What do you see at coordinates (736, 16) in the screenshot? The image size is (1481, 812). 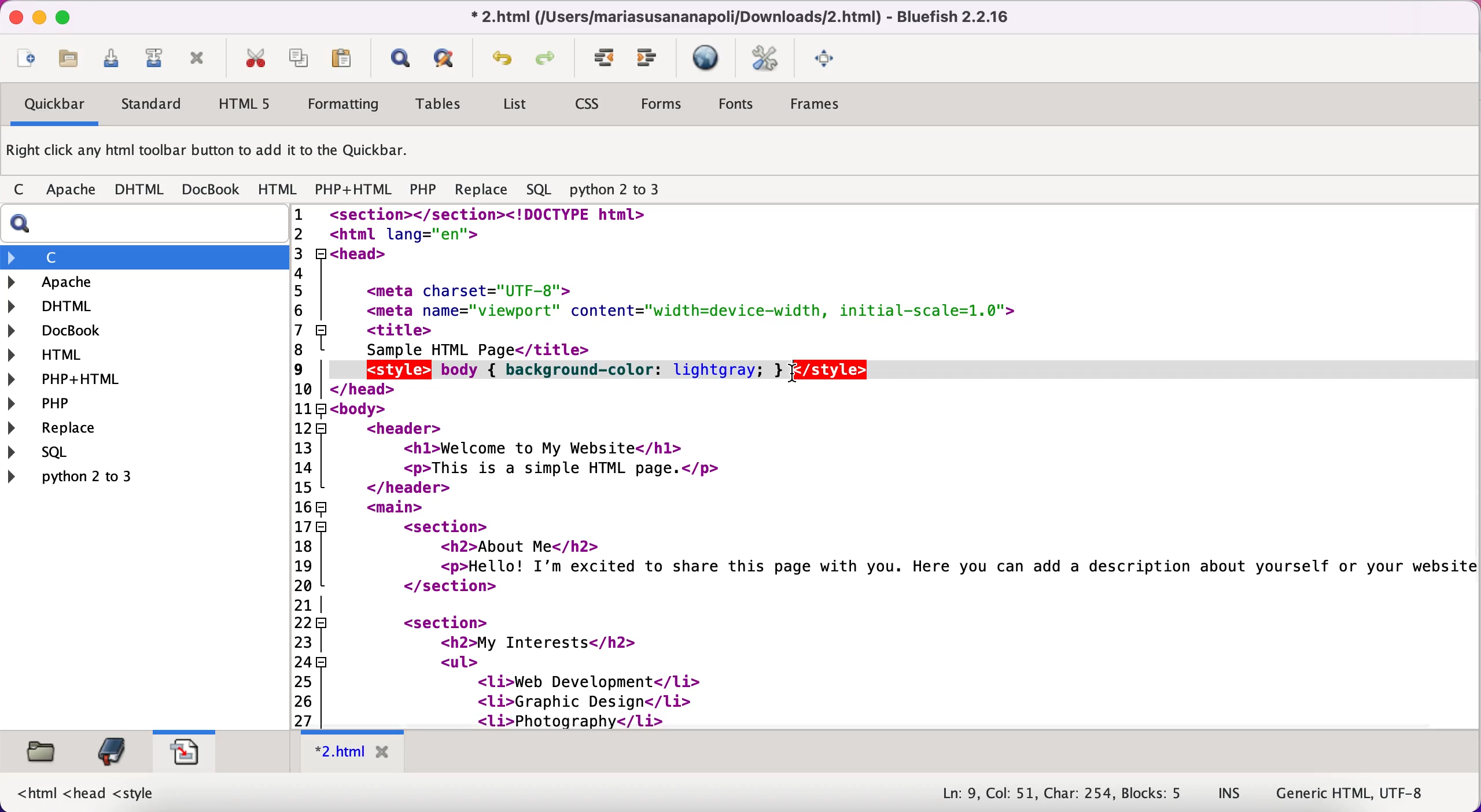 I see `* 2.html (/Users/mariasusananapoli/Downloads/2.html) - Bluefish 2.2.16` at bounding box center [736, 16].